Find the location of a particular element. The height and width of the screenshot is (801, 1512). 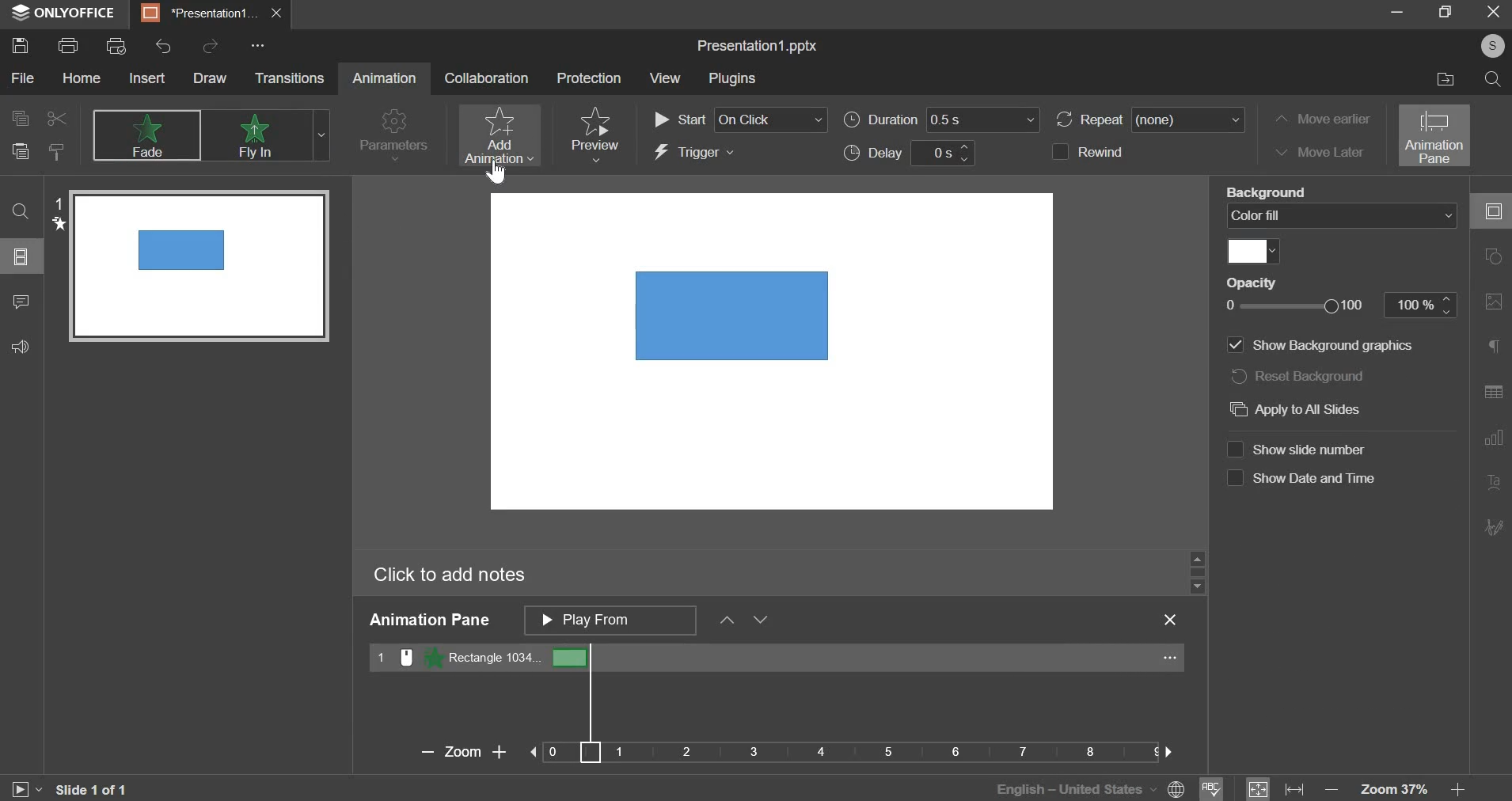

Slide preview is located at coordinates (192, 268).